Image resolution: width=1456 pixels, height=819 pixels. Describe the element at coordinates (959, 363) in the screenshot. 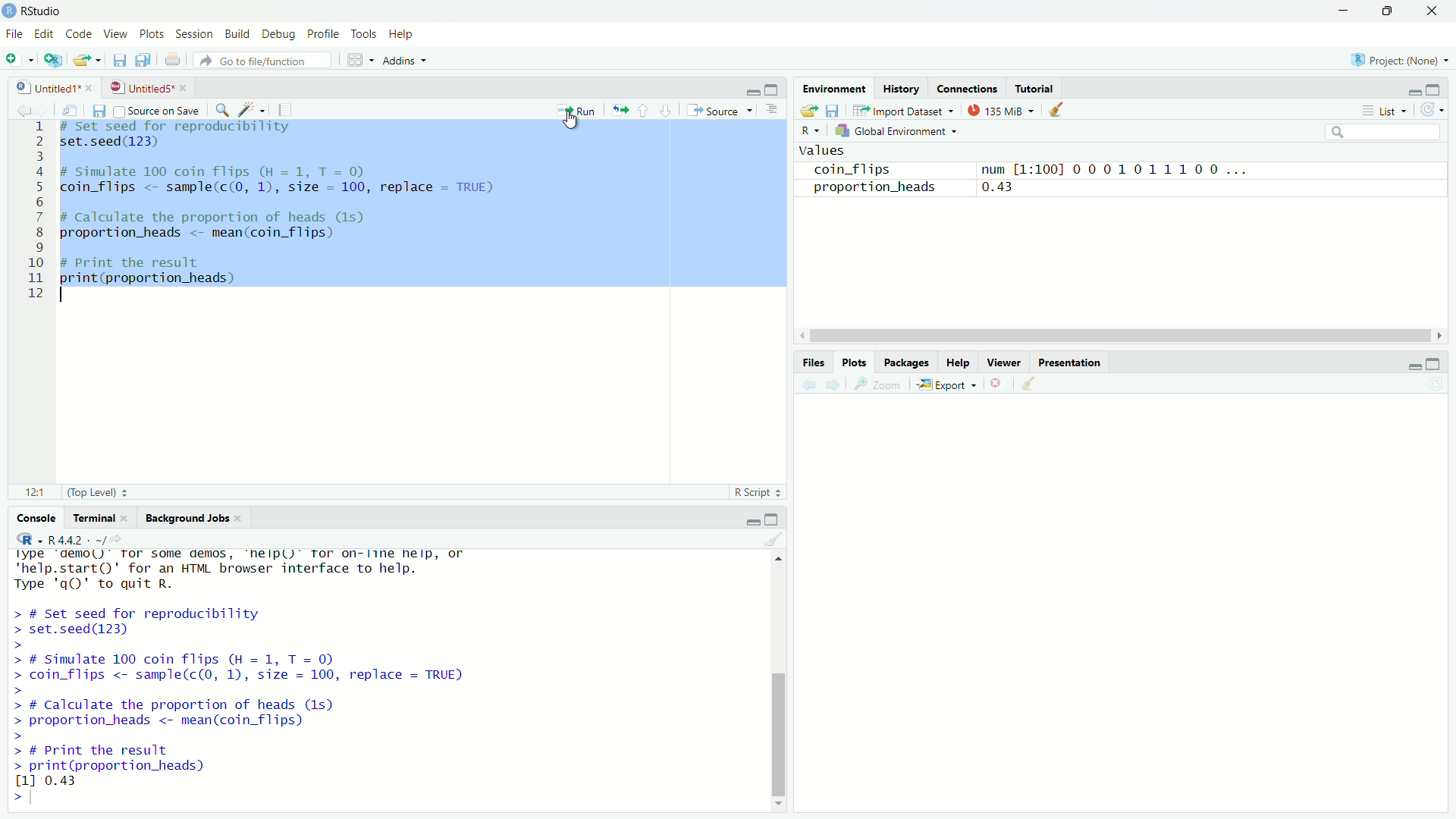

I see `Help` at that location.